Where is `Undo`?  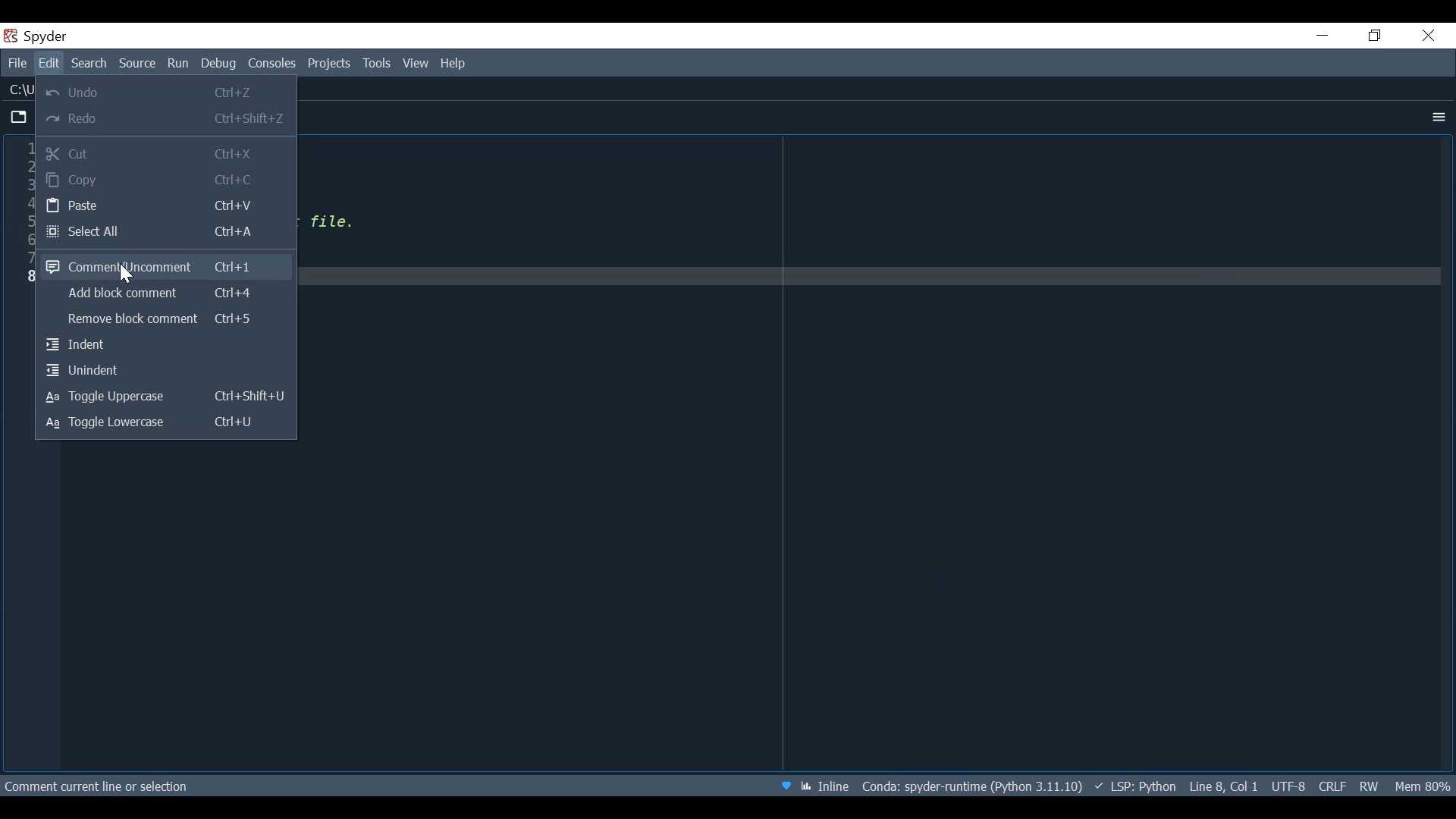
Undo is located at coordinates (165, 91).